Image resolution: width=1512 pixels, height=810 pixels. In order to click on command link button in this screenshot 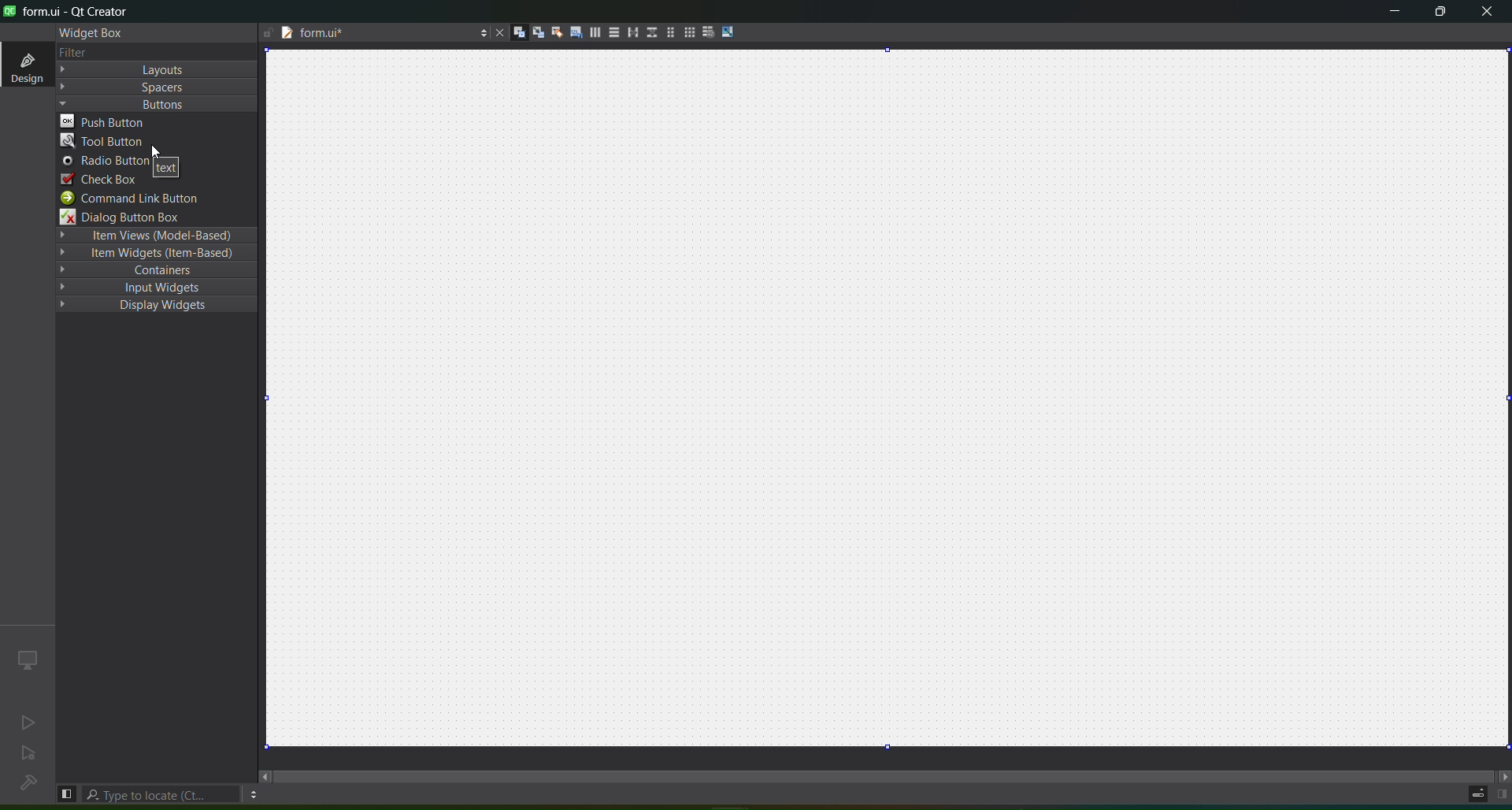, I will do `click(154, 198)`.